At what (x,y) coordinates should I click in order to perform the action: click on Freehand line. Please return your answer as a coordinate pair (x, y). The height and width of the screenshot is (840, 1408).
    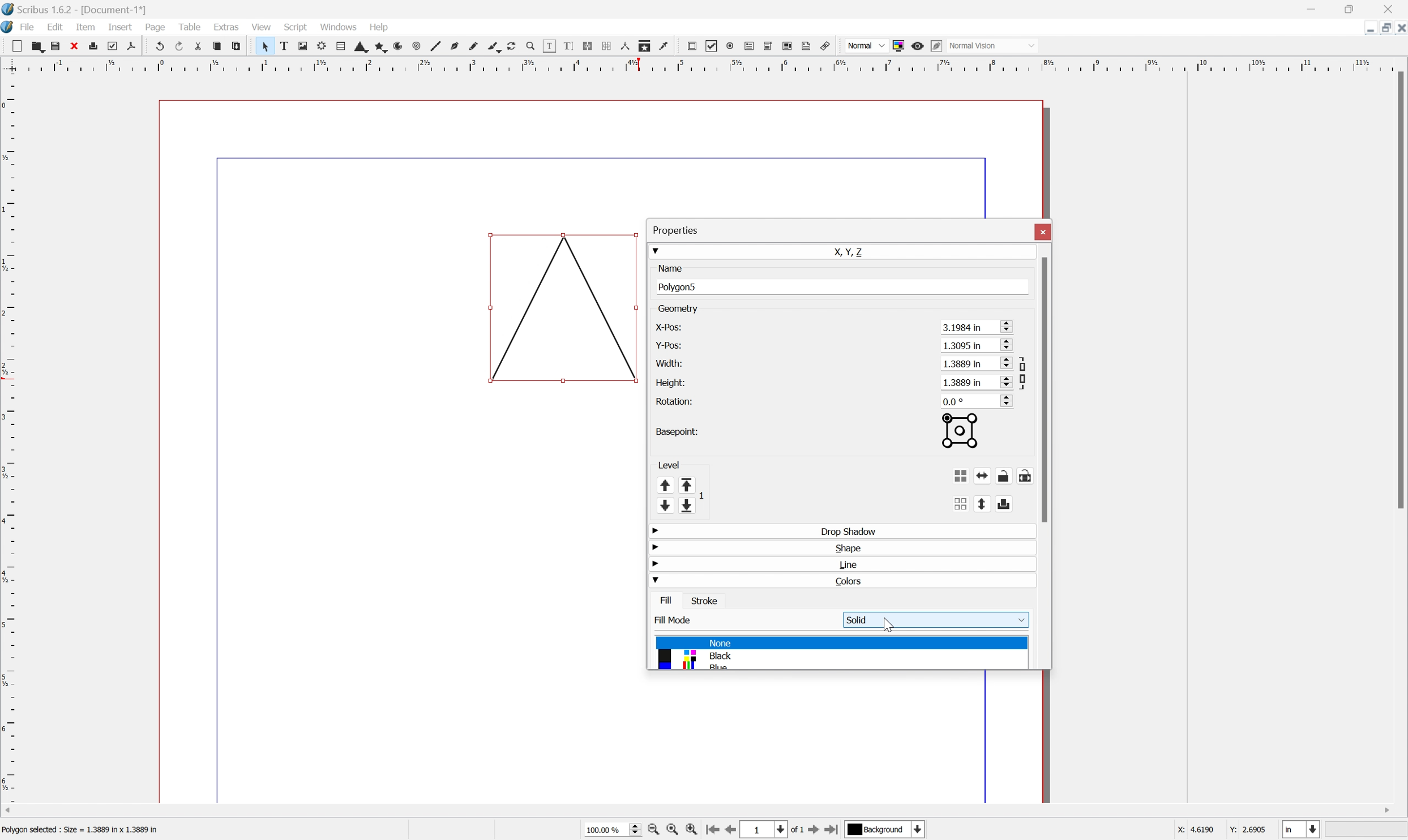
    Looking at the image, I should click on (474, 46).